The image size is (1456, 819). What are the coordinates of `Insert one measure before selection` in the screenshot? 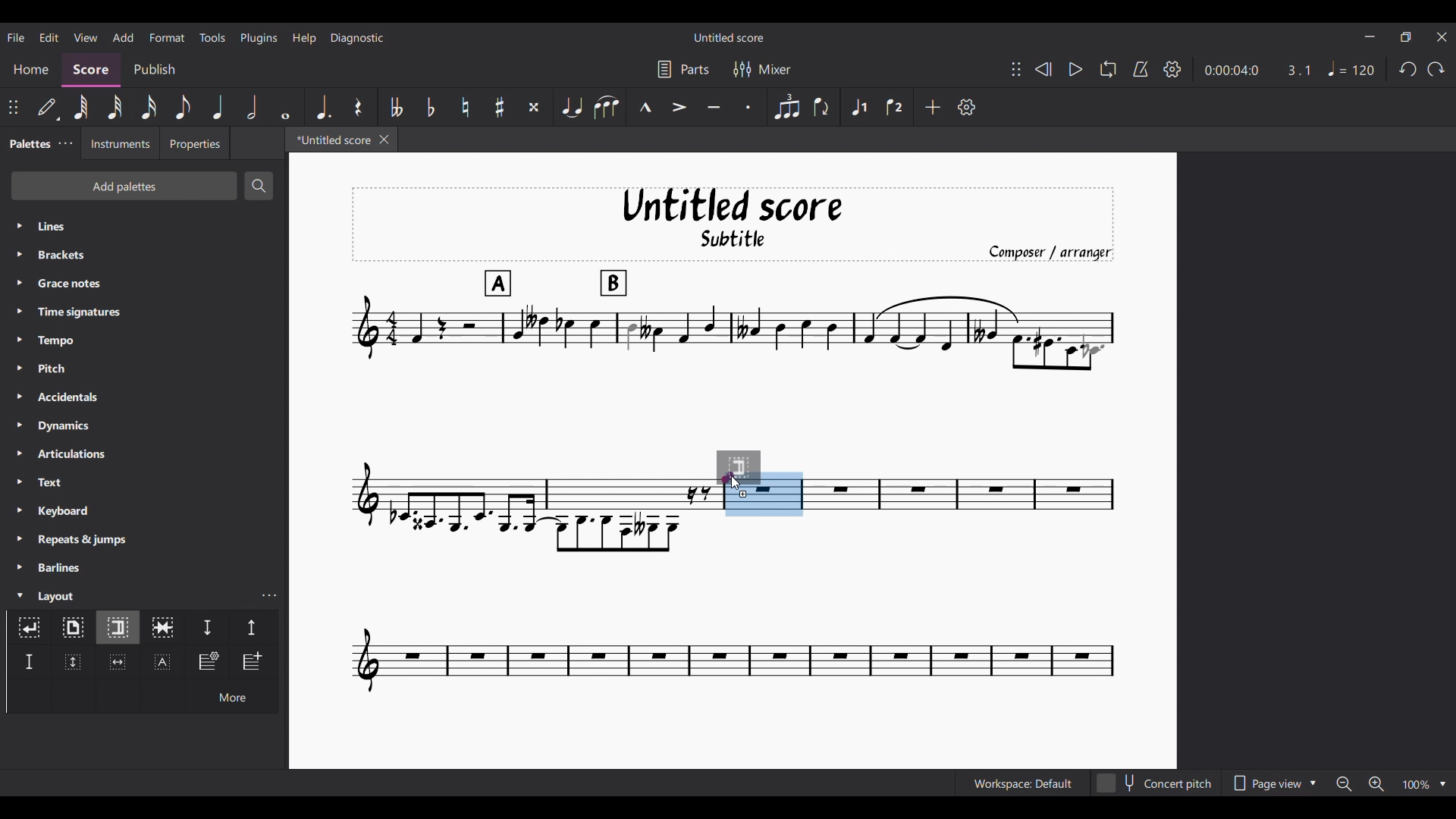 It's located at (253, 662).